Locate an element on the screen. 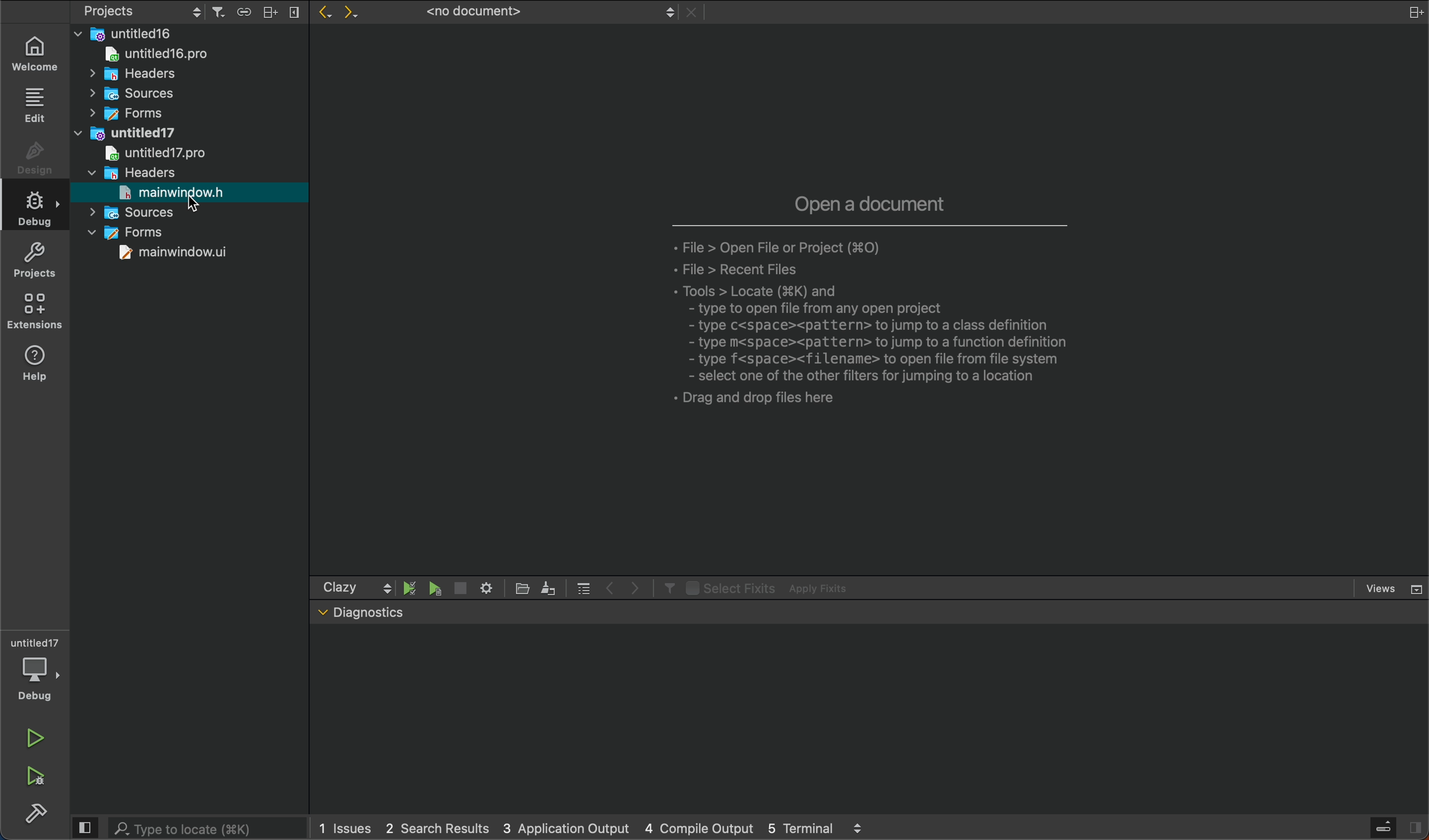 Image resolution: width=1429 pixels, height=840 pixels. split tab is located at coordinates (1407, 11).